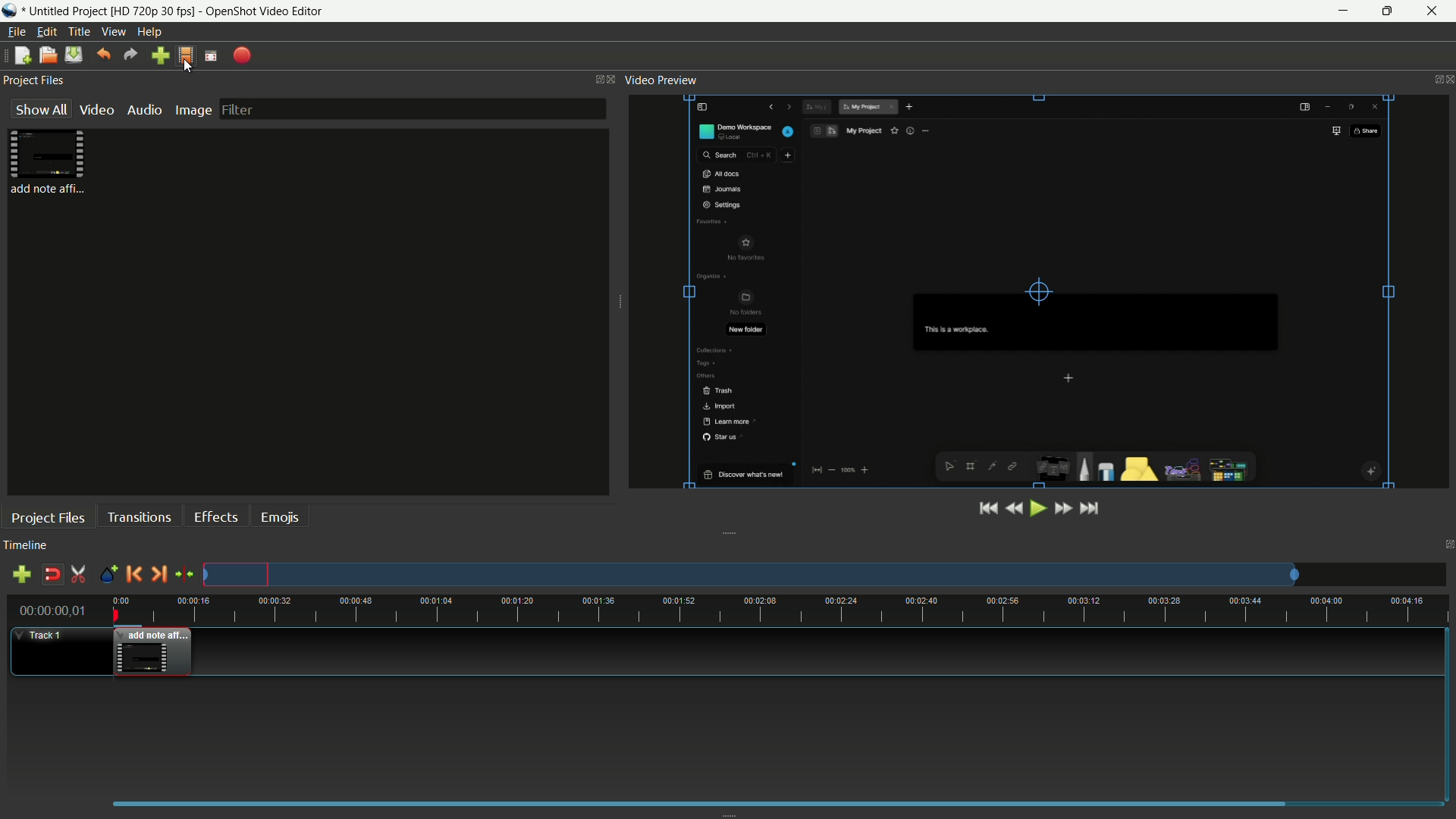 This screenshot has width=1456, height=819. Describe the element at coordinates (131, 55) in the screenshot. I see `redo` at that location.